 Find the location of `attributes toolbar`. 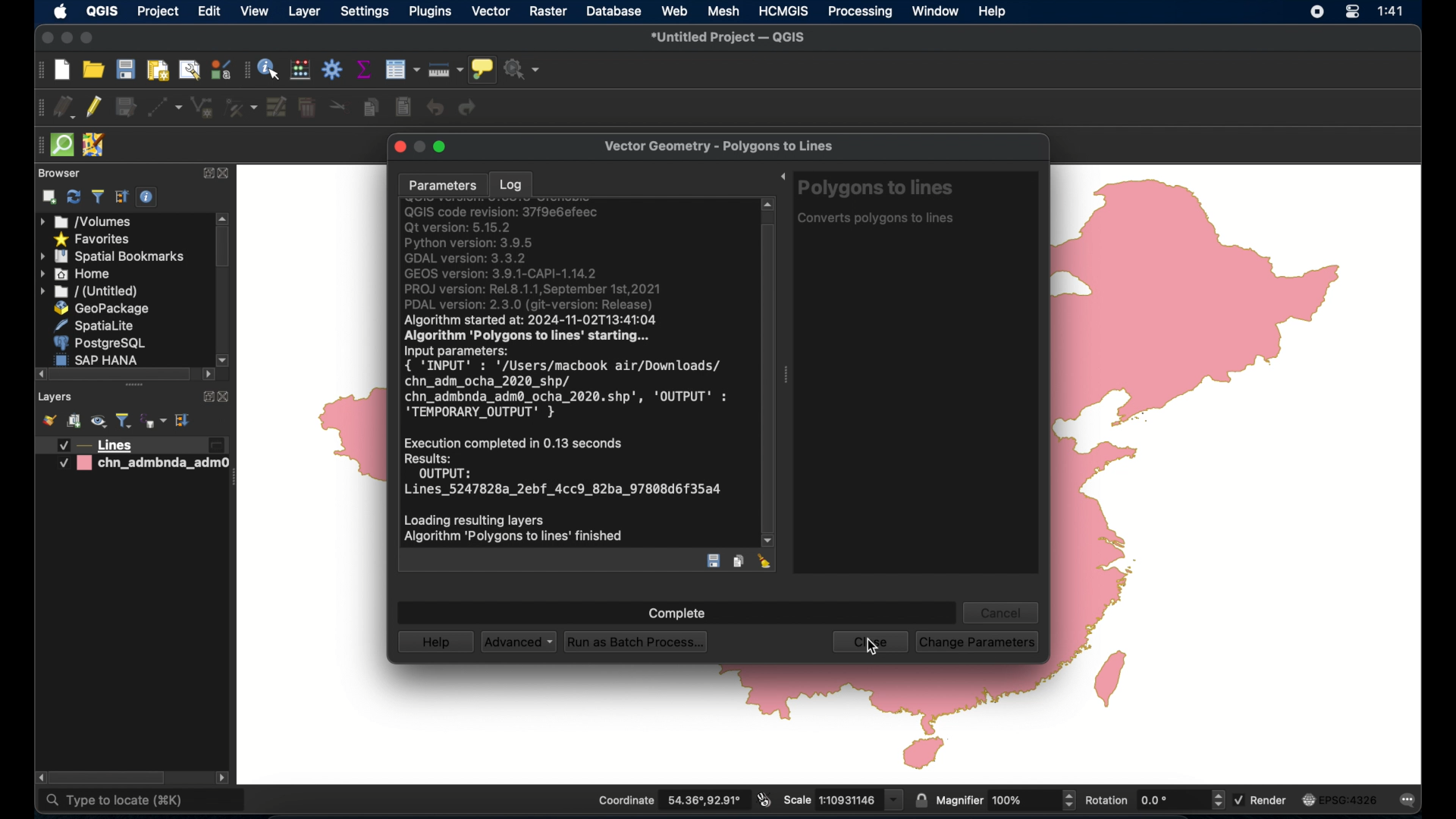

attributes toolbar is located at coordinates (245, 71).